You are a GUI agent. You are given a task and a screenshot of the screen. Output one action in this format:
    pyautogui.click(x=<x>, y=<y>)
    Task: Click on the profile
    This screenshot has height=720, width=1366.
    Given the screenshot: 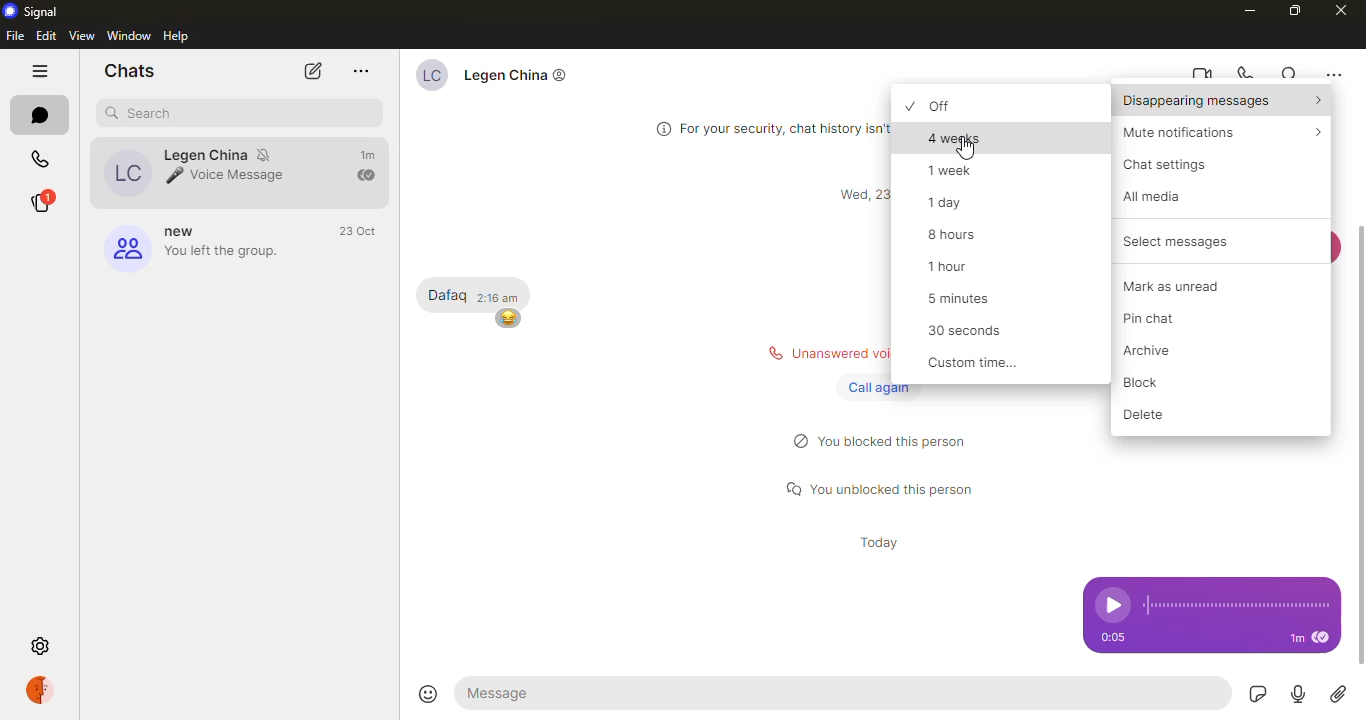 What is the action you would take?
    pyautogui.click(x=46, y=691)
    